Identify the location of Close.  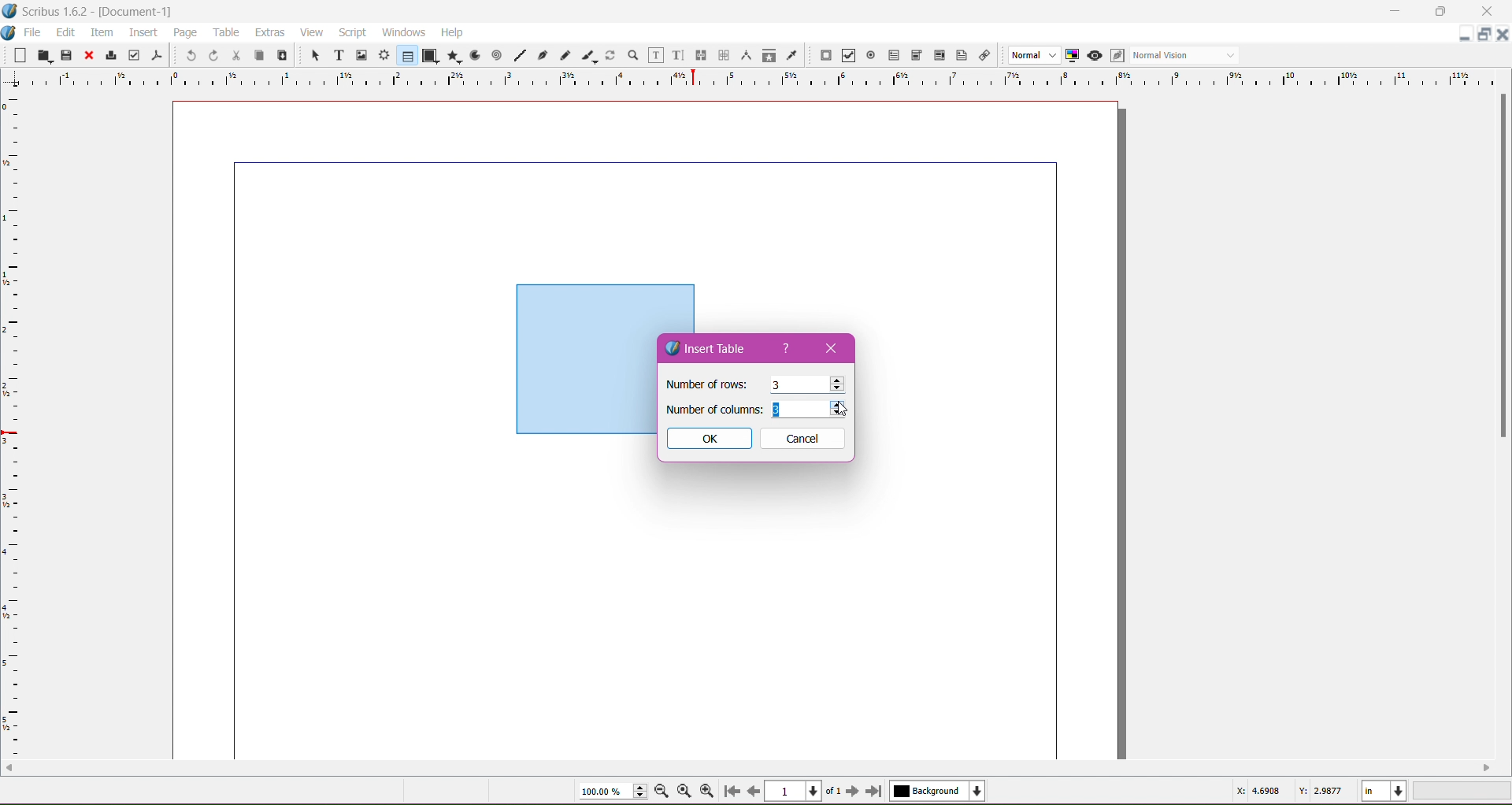
(832, 347).